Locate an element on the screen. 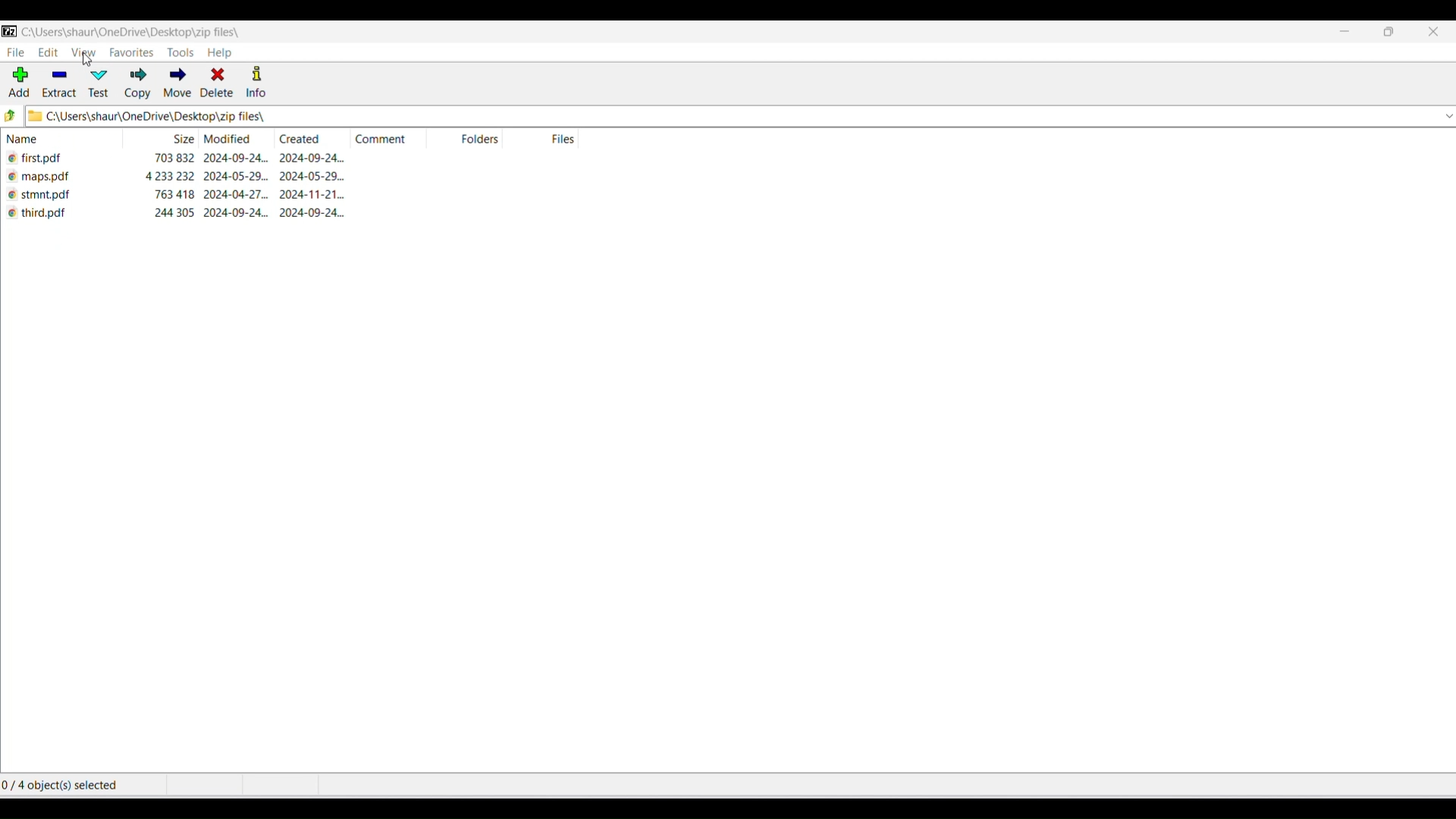 This screenshot has height=819, width=1456. favourites is located at coordinates (129, 53).